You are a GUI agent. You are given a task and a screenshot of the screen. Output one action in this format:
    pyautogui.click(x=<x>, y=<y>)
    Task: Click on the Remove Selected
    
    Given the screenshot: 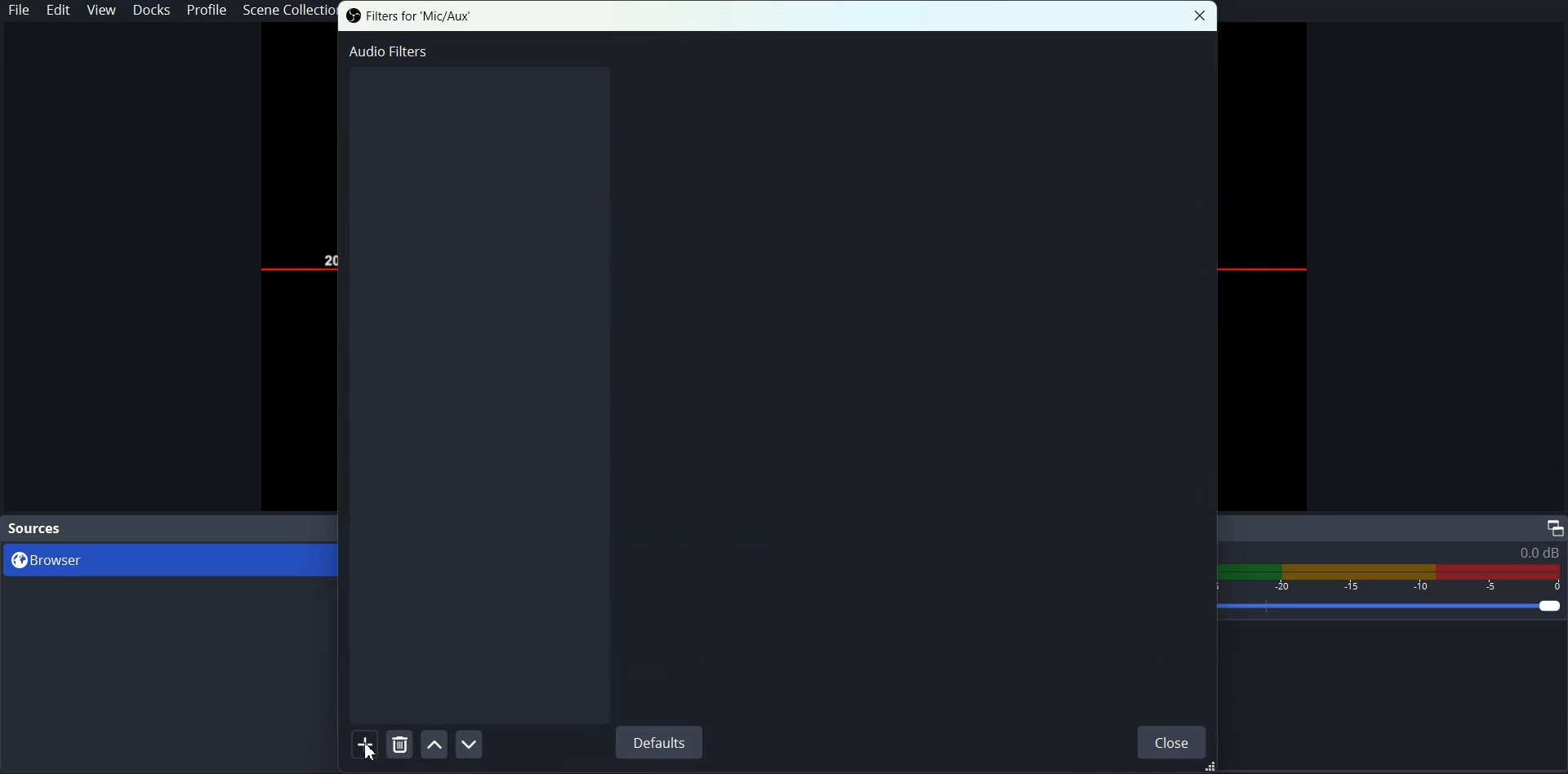 What is the action you would take?
    pyautogui.click(x=401, y=744)
    